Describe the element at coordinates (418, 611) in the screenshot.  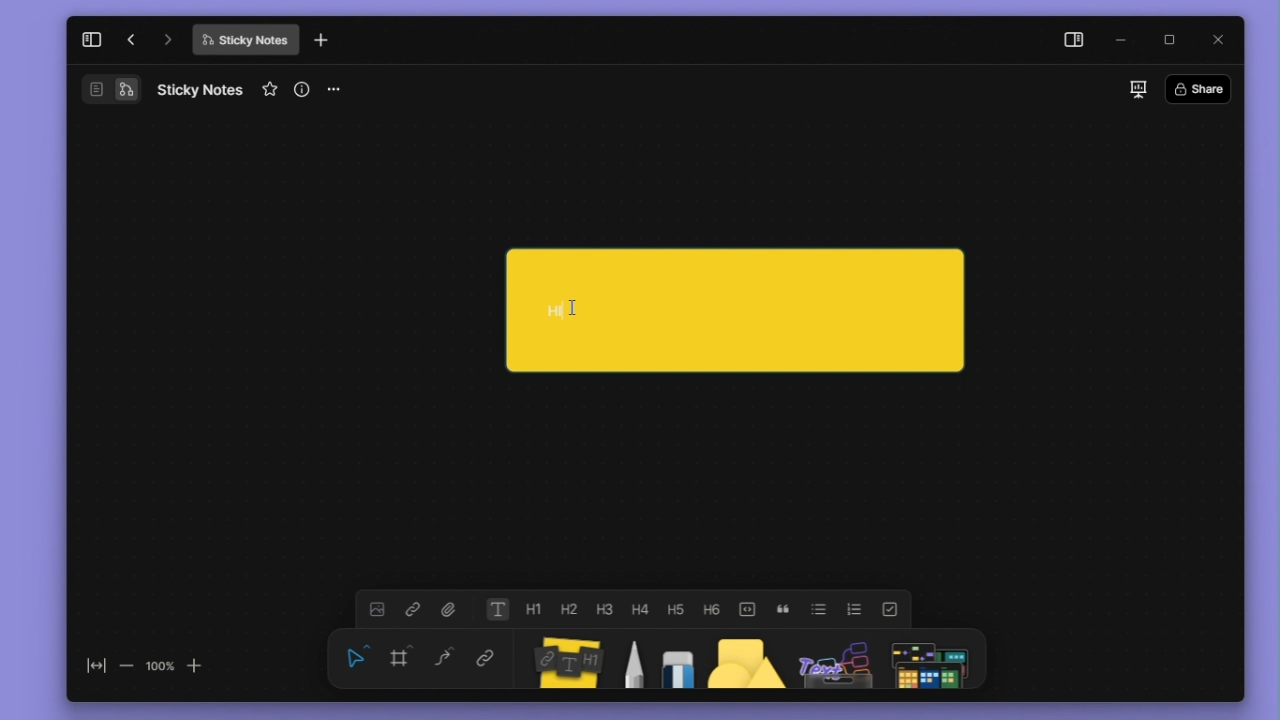
I see `link` at that location.